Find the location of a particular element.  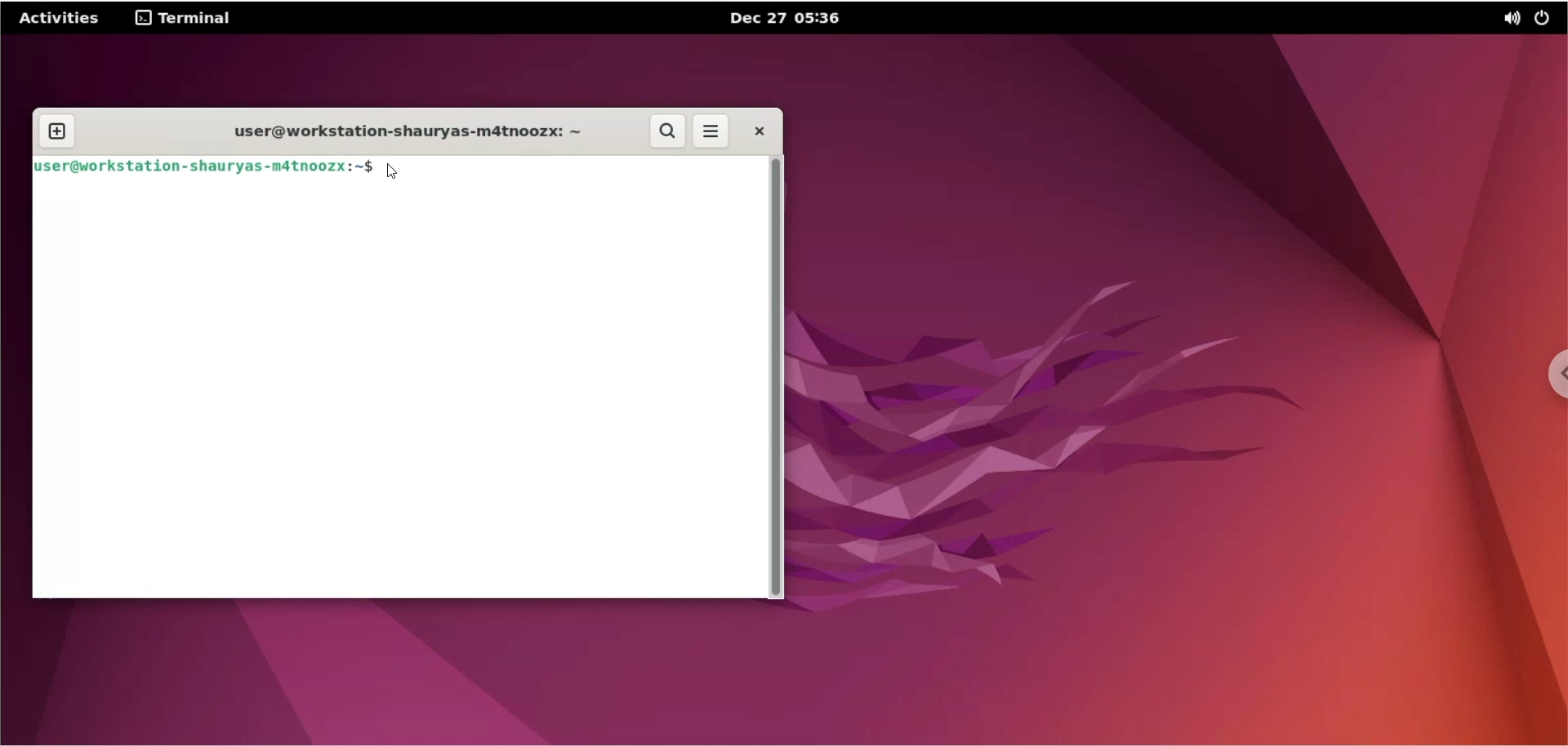

cursor is located at coordinates (398, 171).